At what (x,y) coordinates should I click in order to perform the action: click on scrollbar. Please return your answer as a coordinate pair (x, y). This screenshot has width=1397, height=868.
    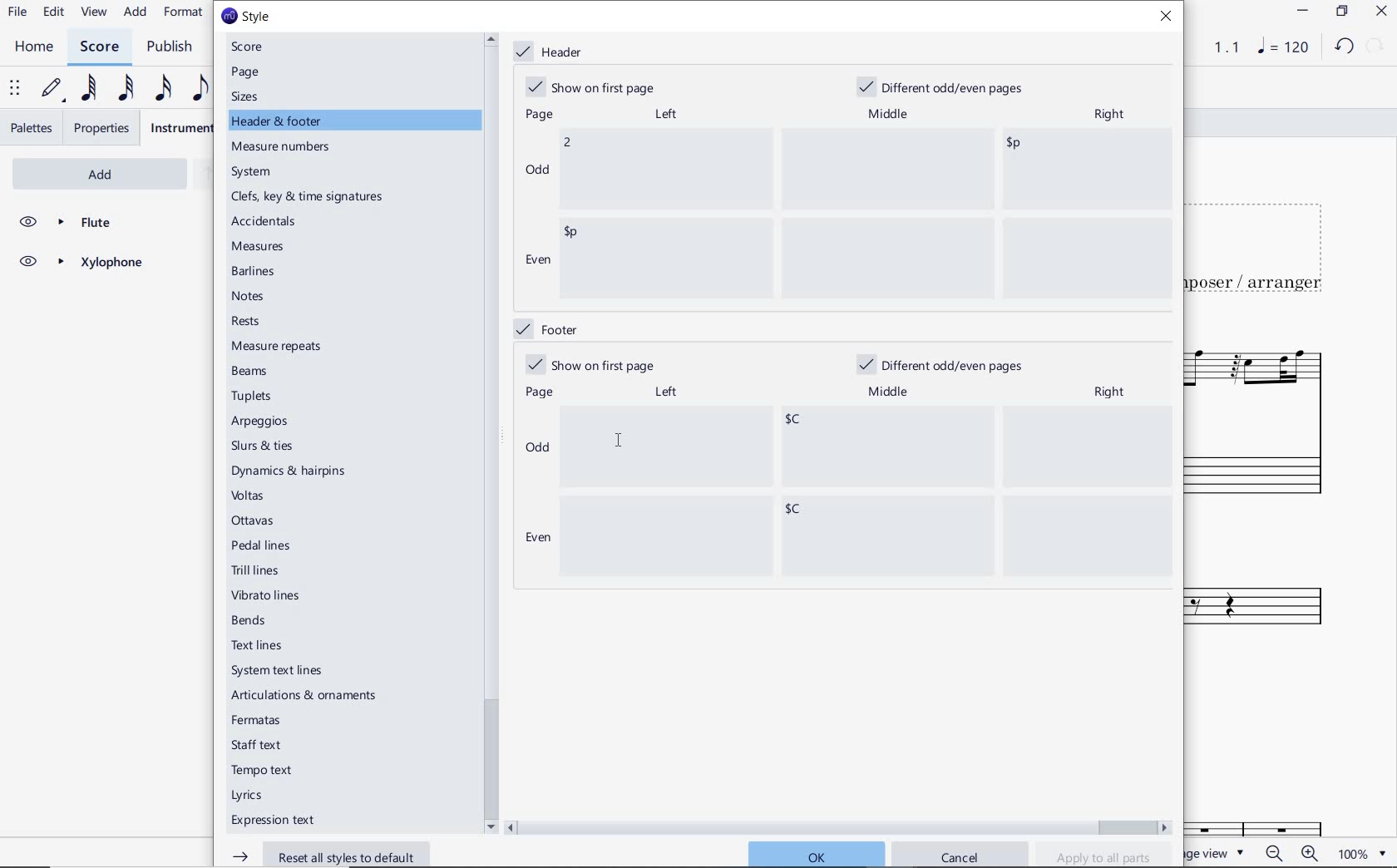
    Looking at the image, I should click on (489, 432).